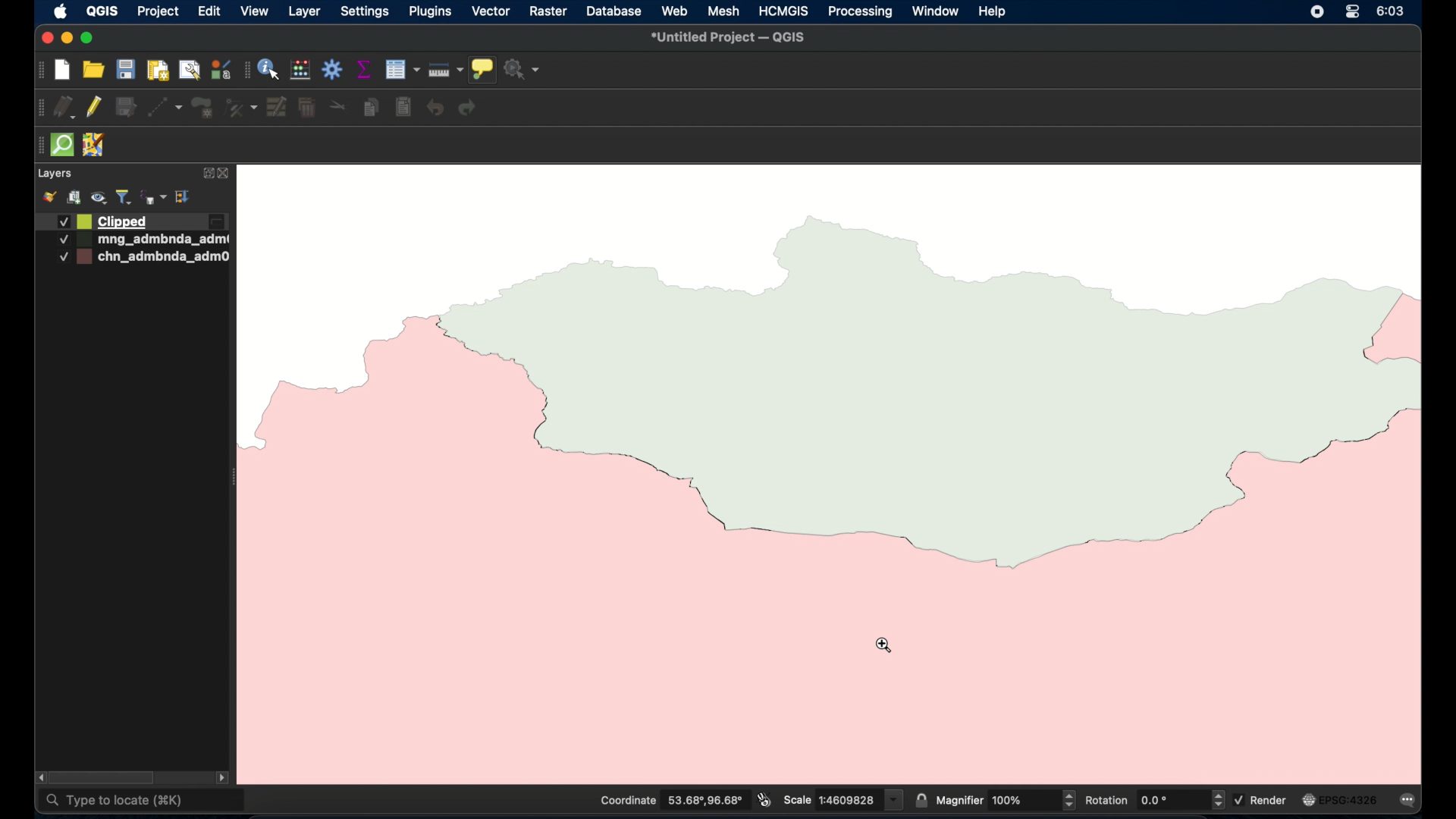 The width and height of the screenshot is (1456, 819). Describe the element at coordinates (1352, 11) in the screenshot. I see `control center` at that location.